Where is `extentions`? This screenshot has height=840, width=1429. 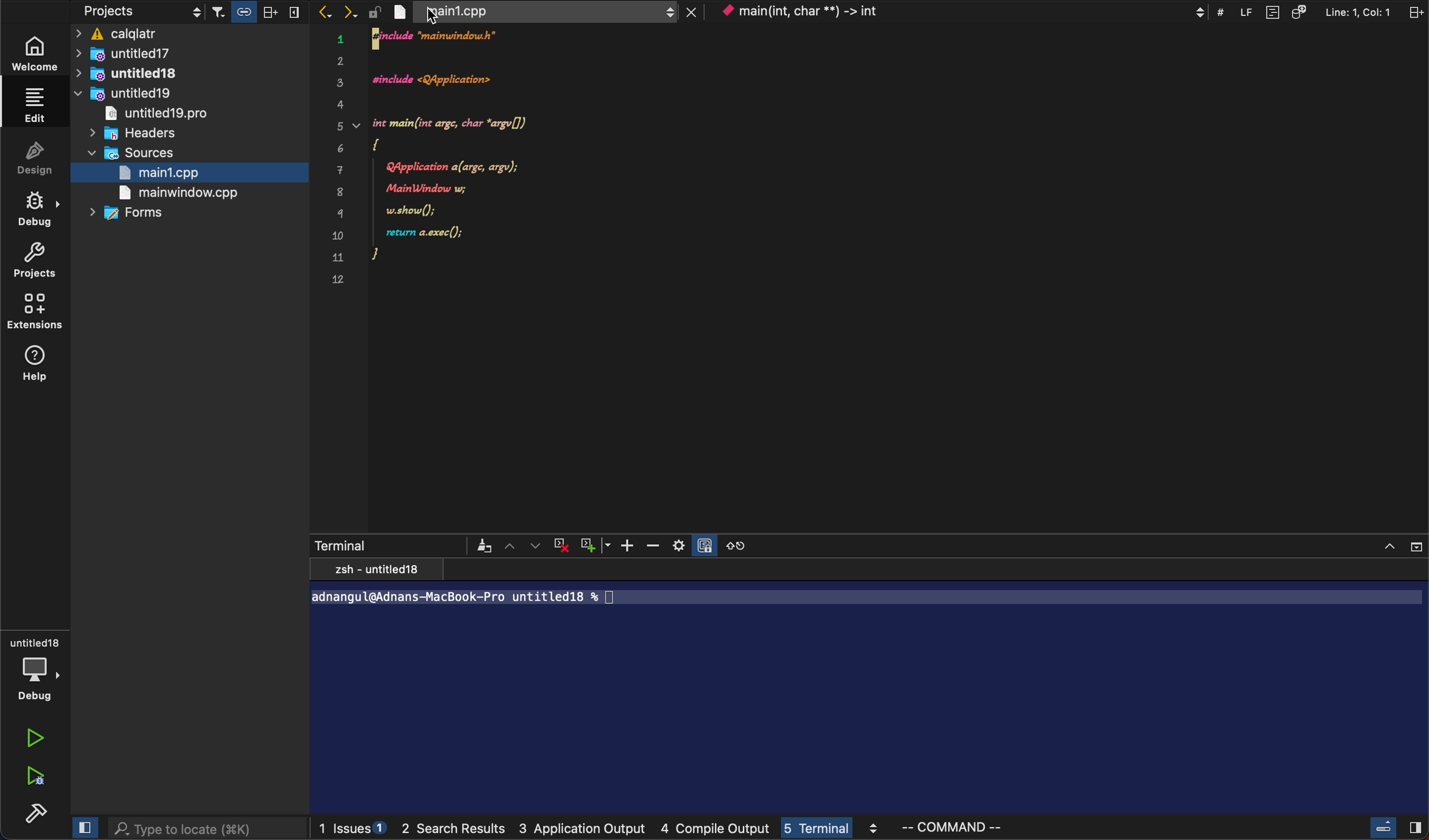
extentions is located at coordinates (38, 313).